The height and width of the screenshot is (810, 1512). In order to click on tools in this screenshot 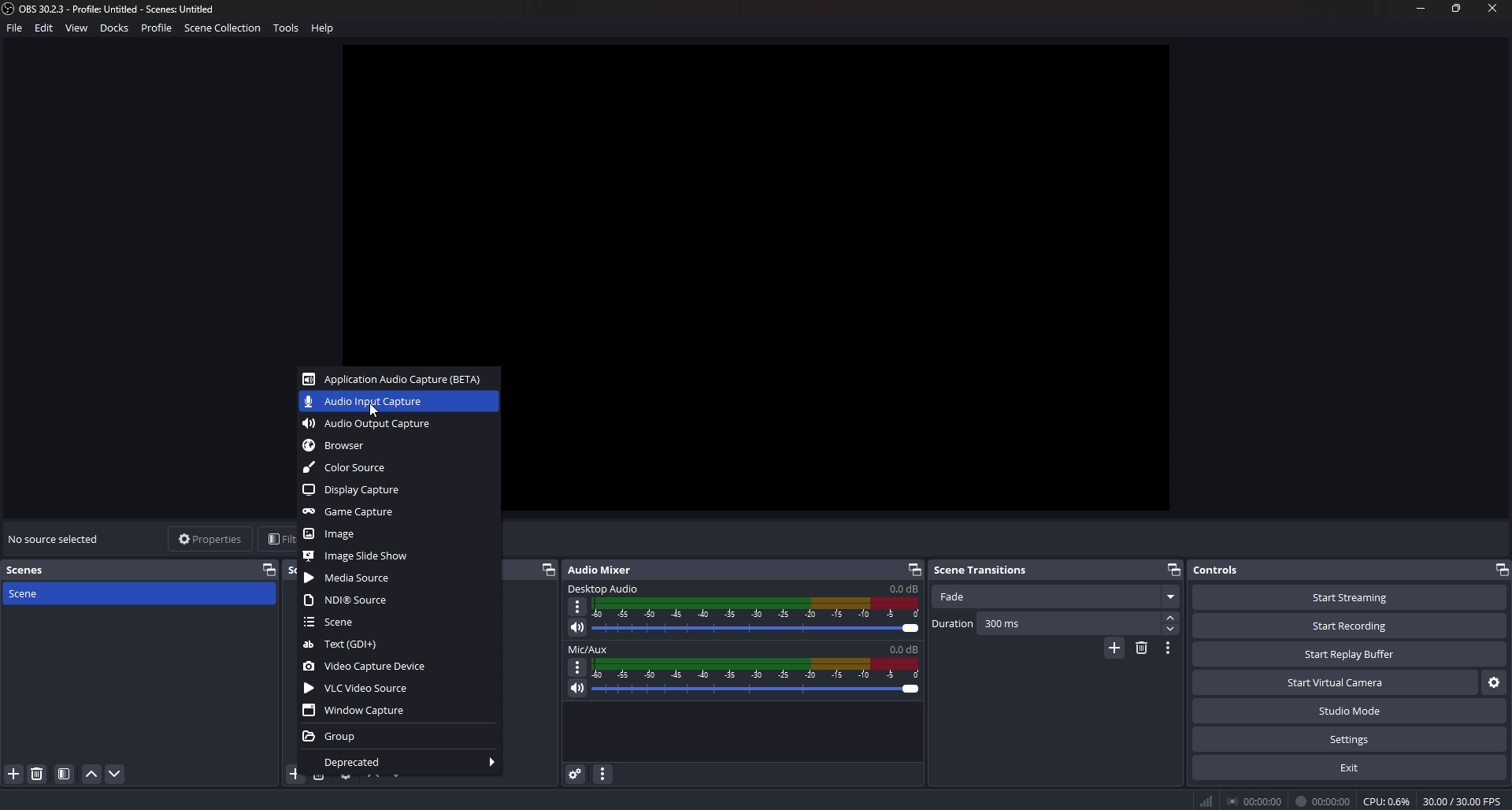, I will do `click(290, 31)`.